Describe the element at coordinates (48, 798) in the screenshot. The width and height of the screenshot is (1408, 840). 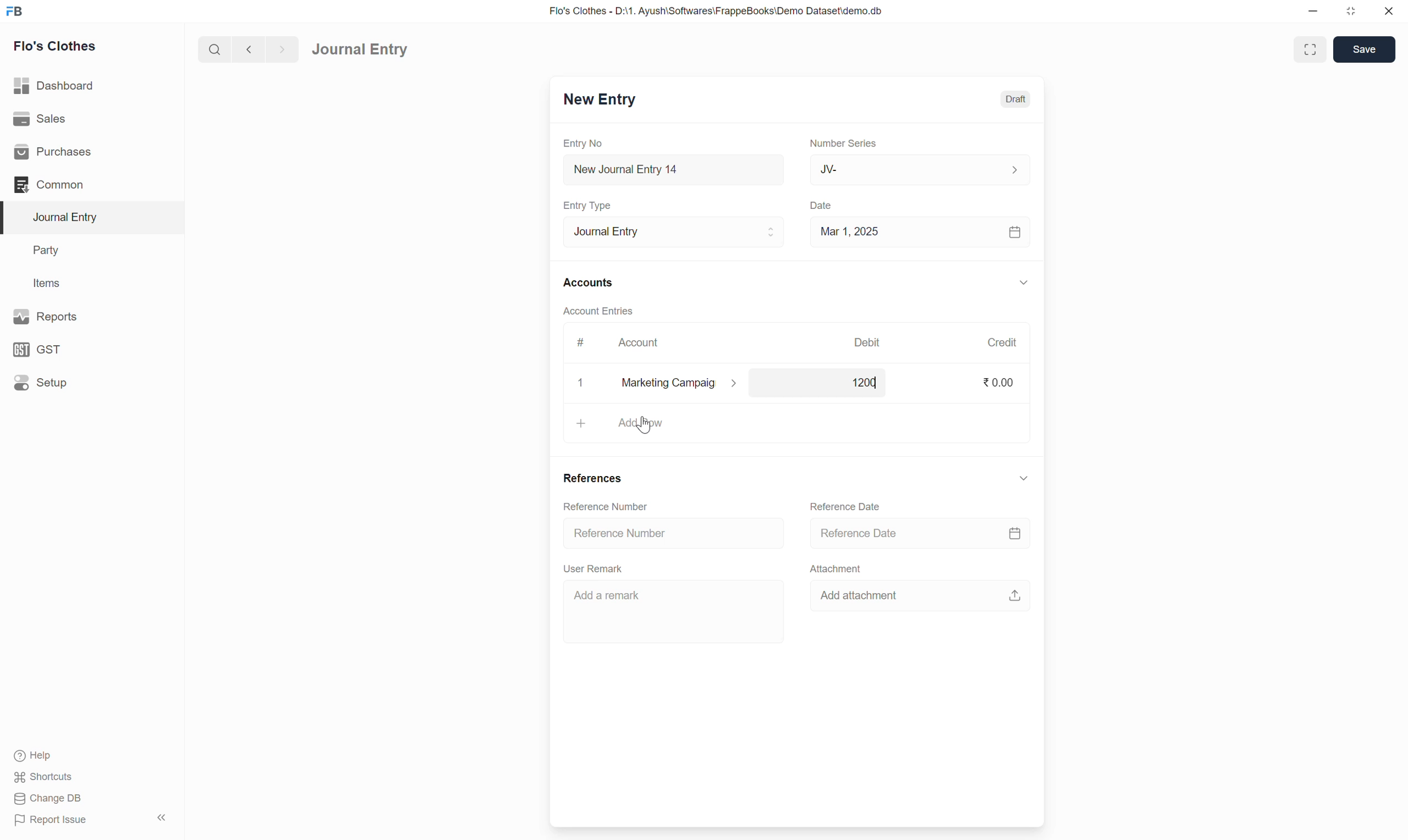
I see `Change DB` at that location.